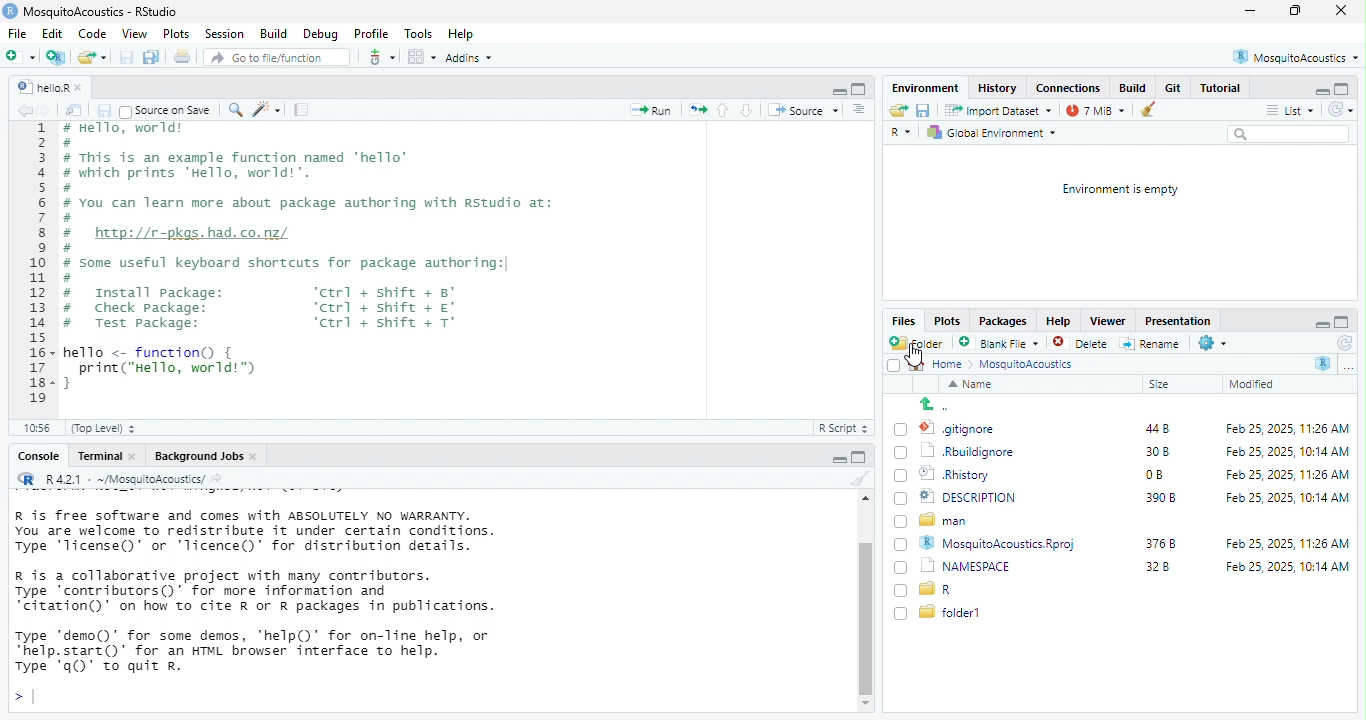 The width and height of the screenshot is (1366, 720). I want to click on Git, so click(1172, 88).